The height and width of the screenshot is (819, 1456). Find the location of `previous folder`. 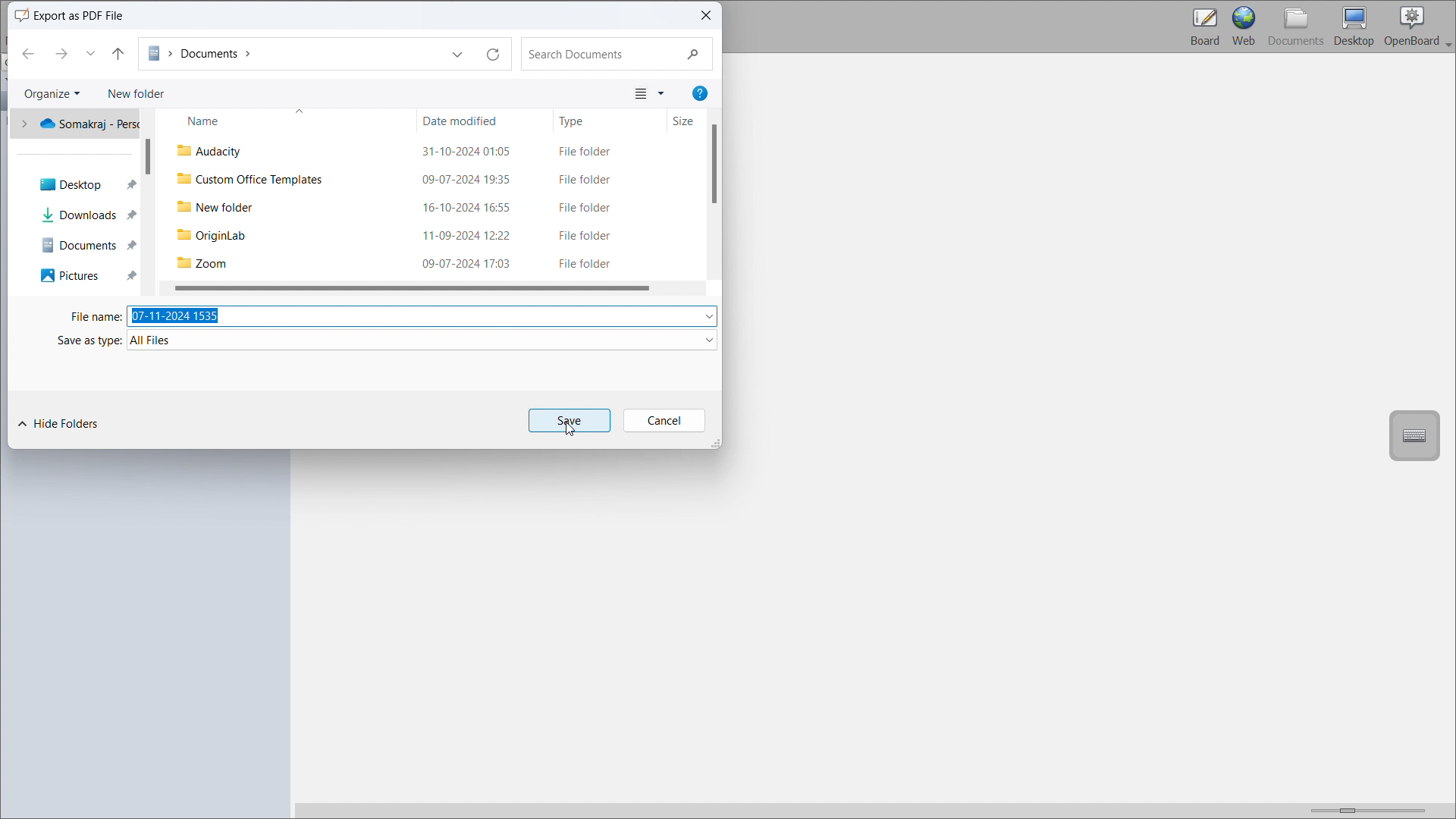

previous folder is located at coordinates (27, 54).